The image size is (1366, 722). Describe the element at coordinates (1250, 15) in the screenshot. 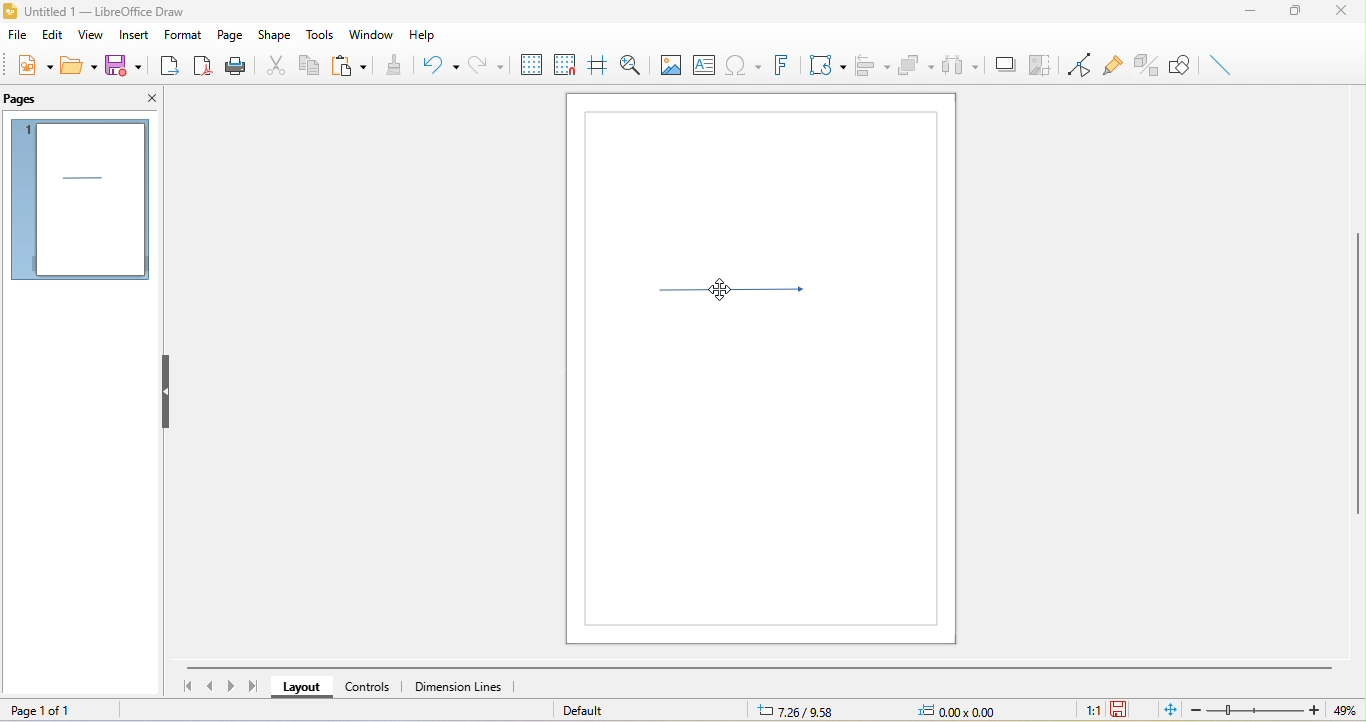

I see `minimize` at that location.